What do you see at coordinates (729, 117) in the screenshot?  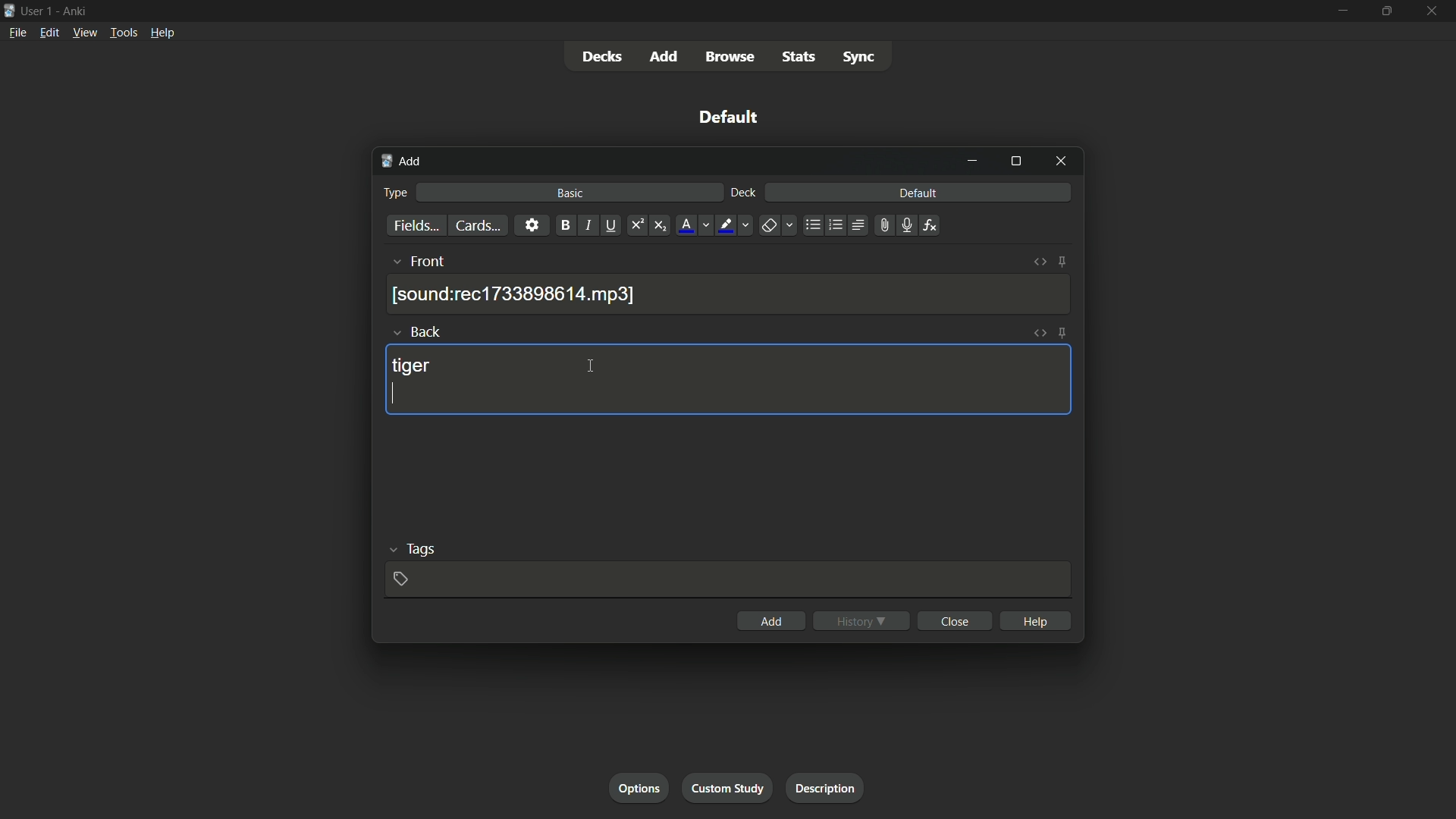 I see `default` at bounding box center [729, 117].